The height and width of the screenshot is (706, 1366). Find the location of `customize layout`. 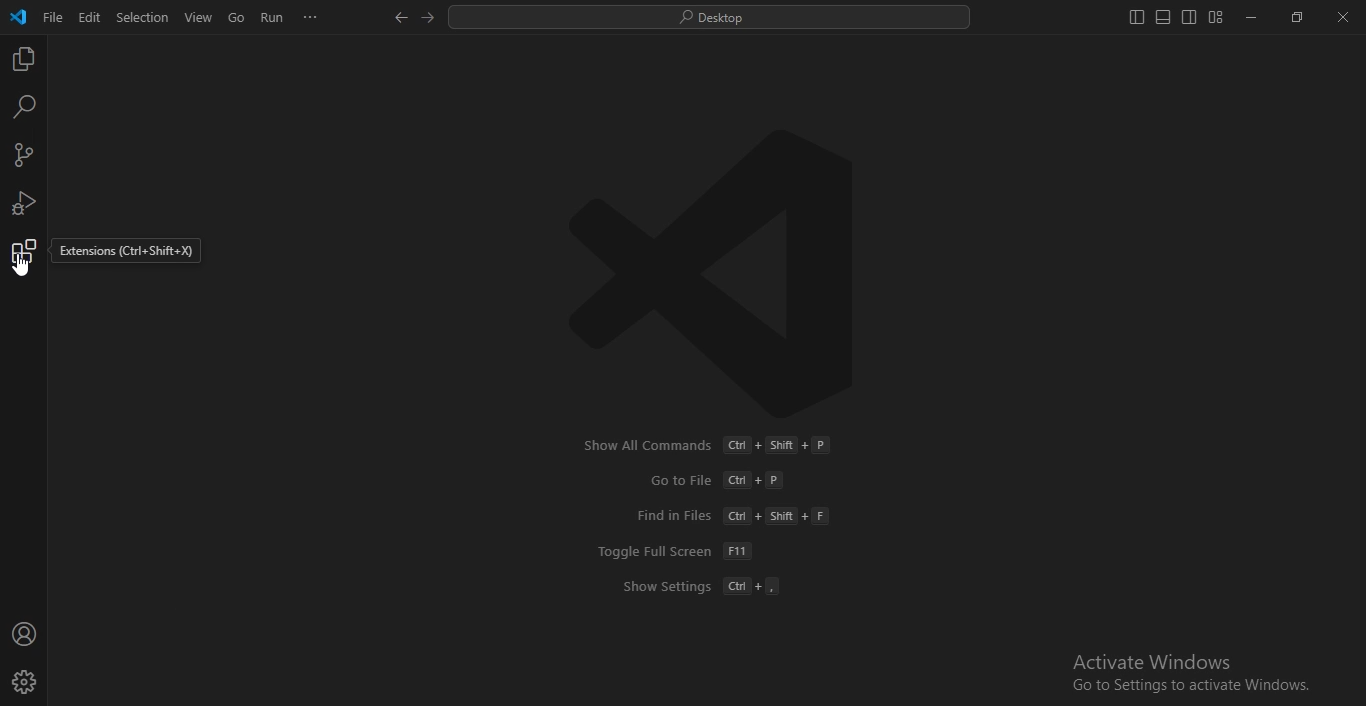

customize layout is located at coordinates (1216, 21).